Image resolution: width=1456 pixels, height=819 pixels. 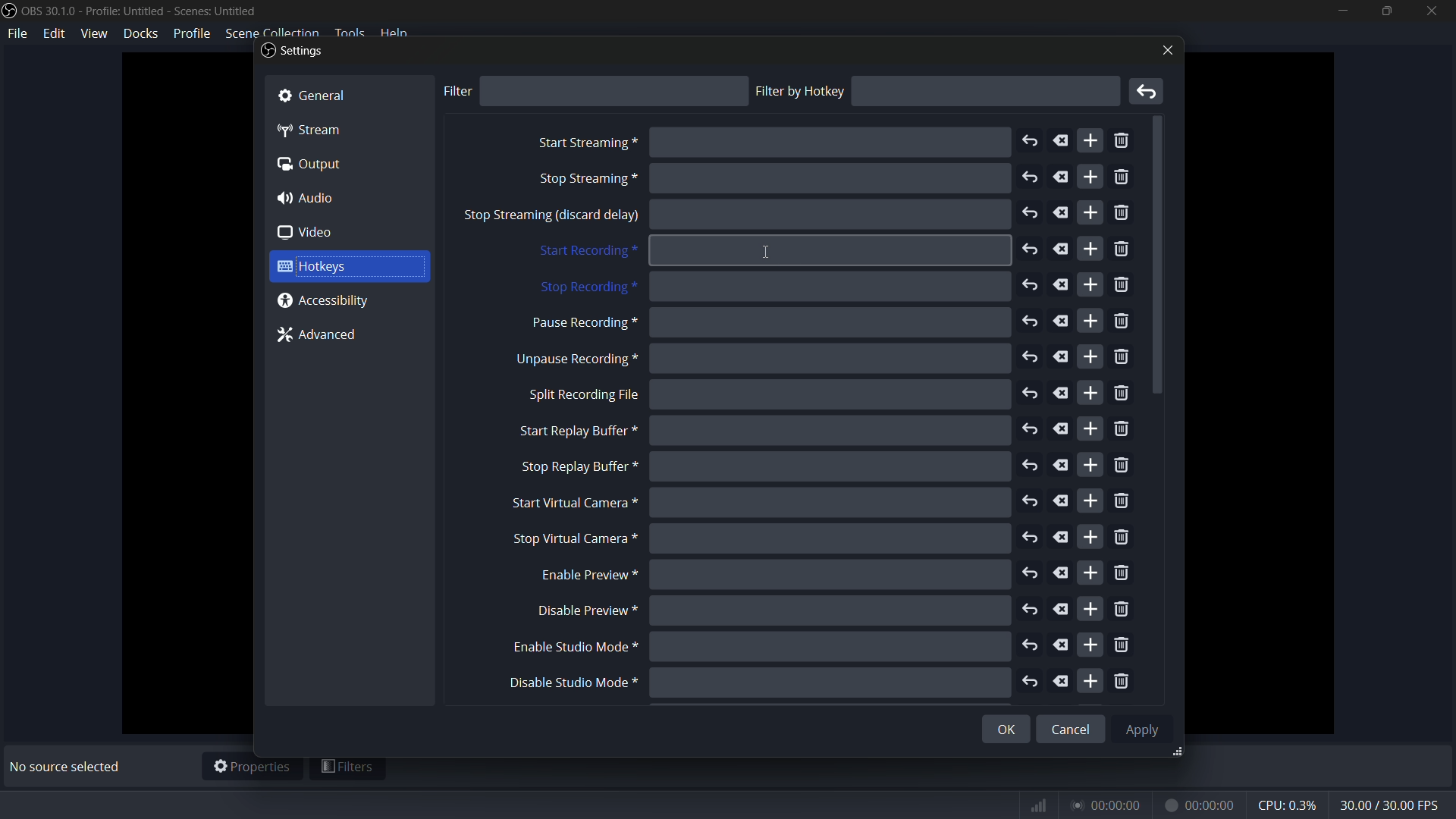 What do you see at coordinates (1061, 140) in the screenshot?
I see `delete` at bounding box center [1061, 140].